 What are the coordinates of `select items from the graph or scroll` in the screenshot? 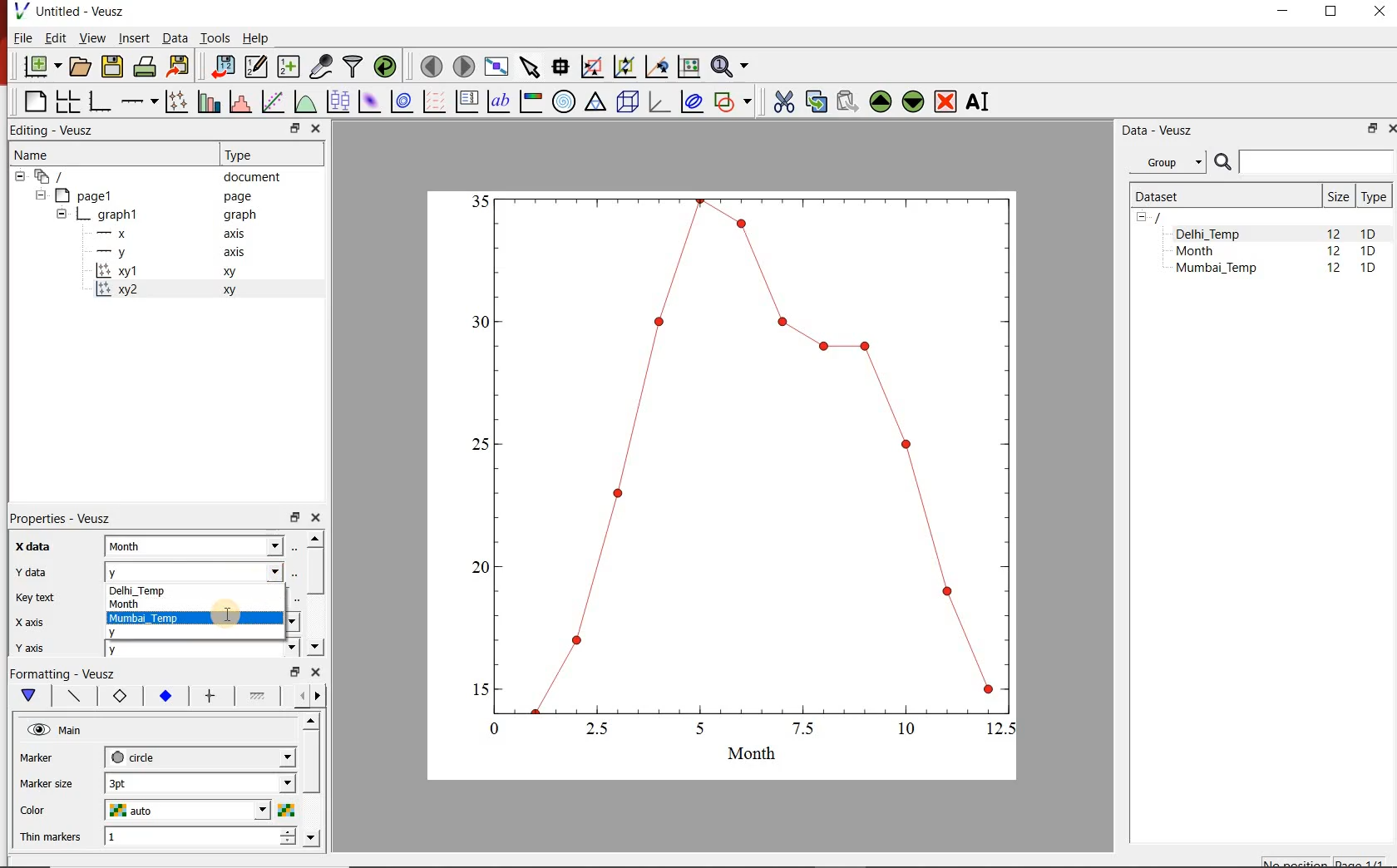 It's located at (531, 67).